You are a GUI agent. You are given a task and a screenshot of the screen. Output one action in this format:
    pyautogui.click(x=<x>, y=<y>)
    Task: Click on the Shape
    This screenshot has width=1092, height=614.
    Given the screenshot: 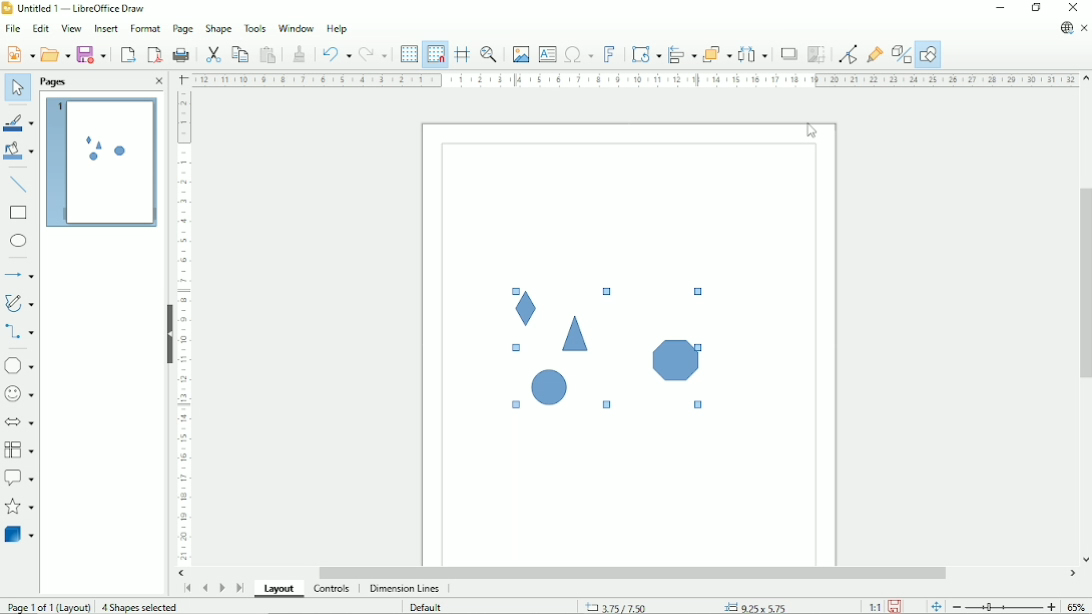 What is the action you would take?
    pyautogui.click(x=218, y=28)
    